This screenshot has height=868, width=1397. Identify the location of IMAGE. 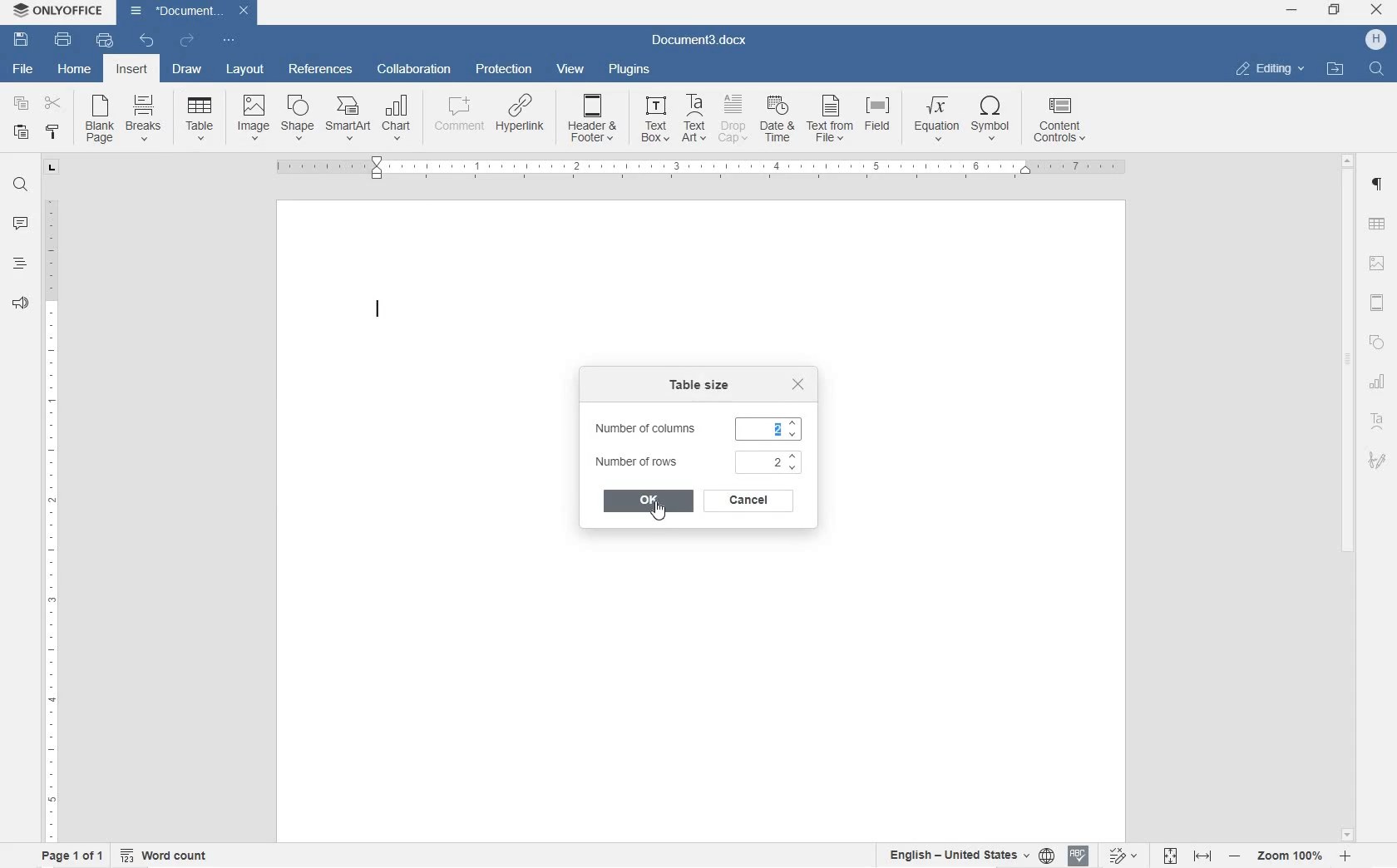
(1379, 264).